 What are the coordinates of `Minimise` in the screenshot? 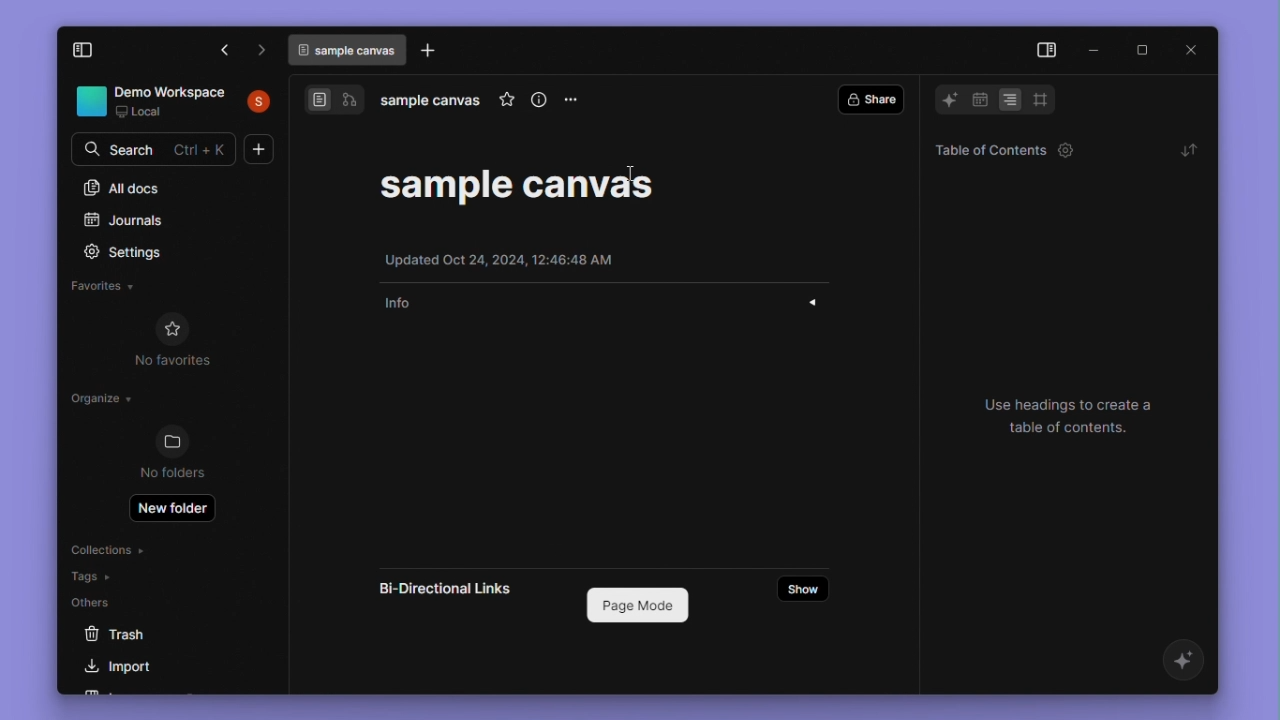 It's located at (1095, 47).